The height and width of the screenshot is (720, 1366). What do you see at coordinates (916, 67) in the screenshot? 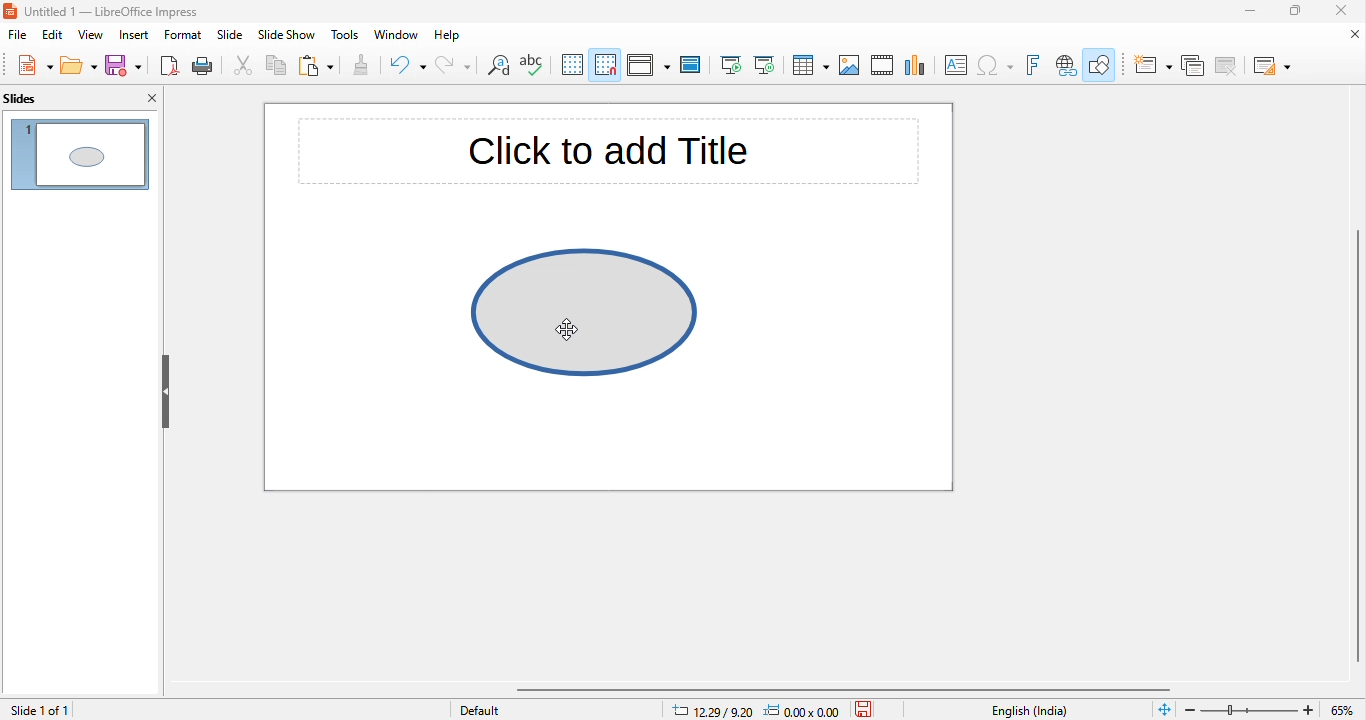
I see `chart` at bounding box center [916, 67].